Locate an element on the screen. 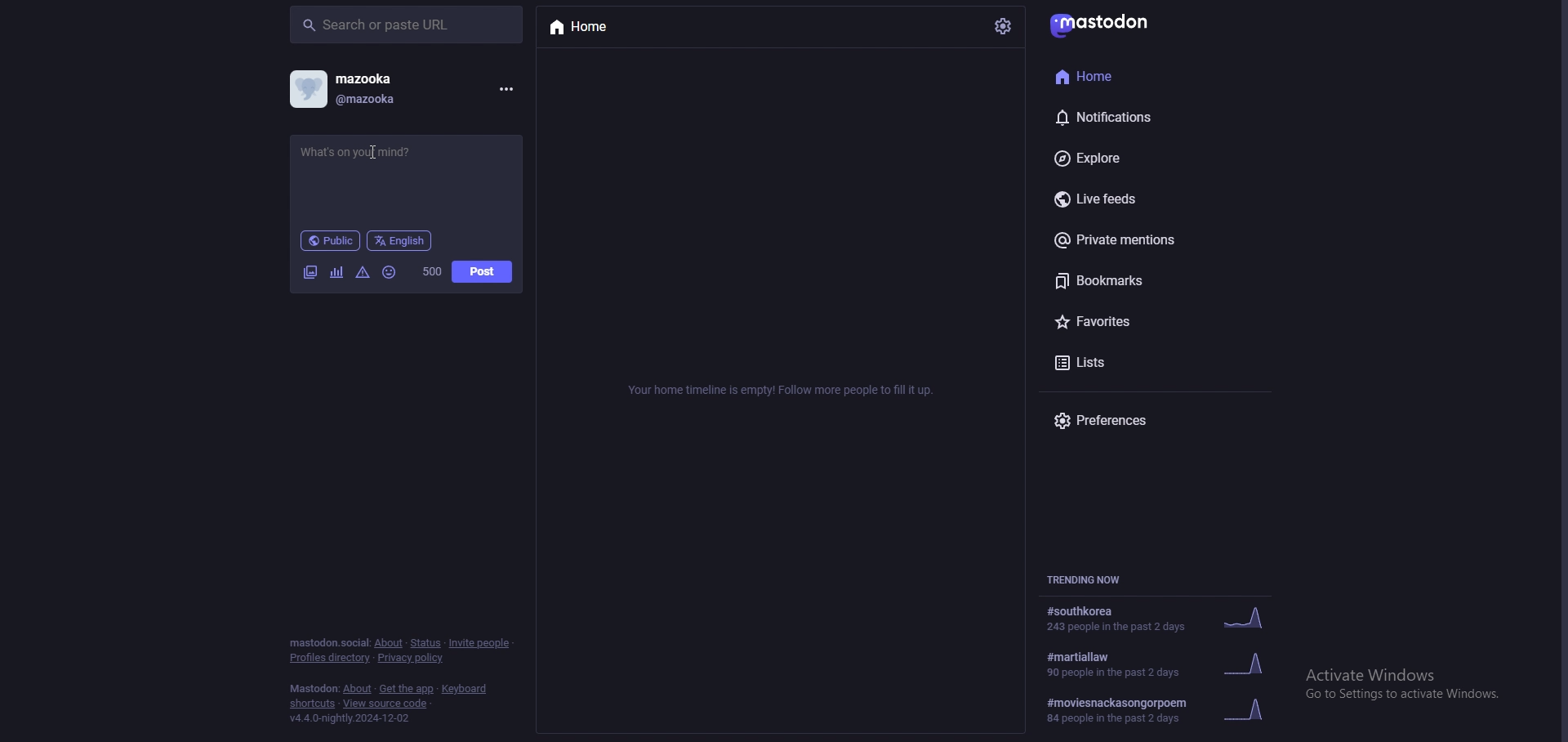 Image resolution: width=1568 pixels, height=742 pixels. chart is located at coordinates (337, 272).